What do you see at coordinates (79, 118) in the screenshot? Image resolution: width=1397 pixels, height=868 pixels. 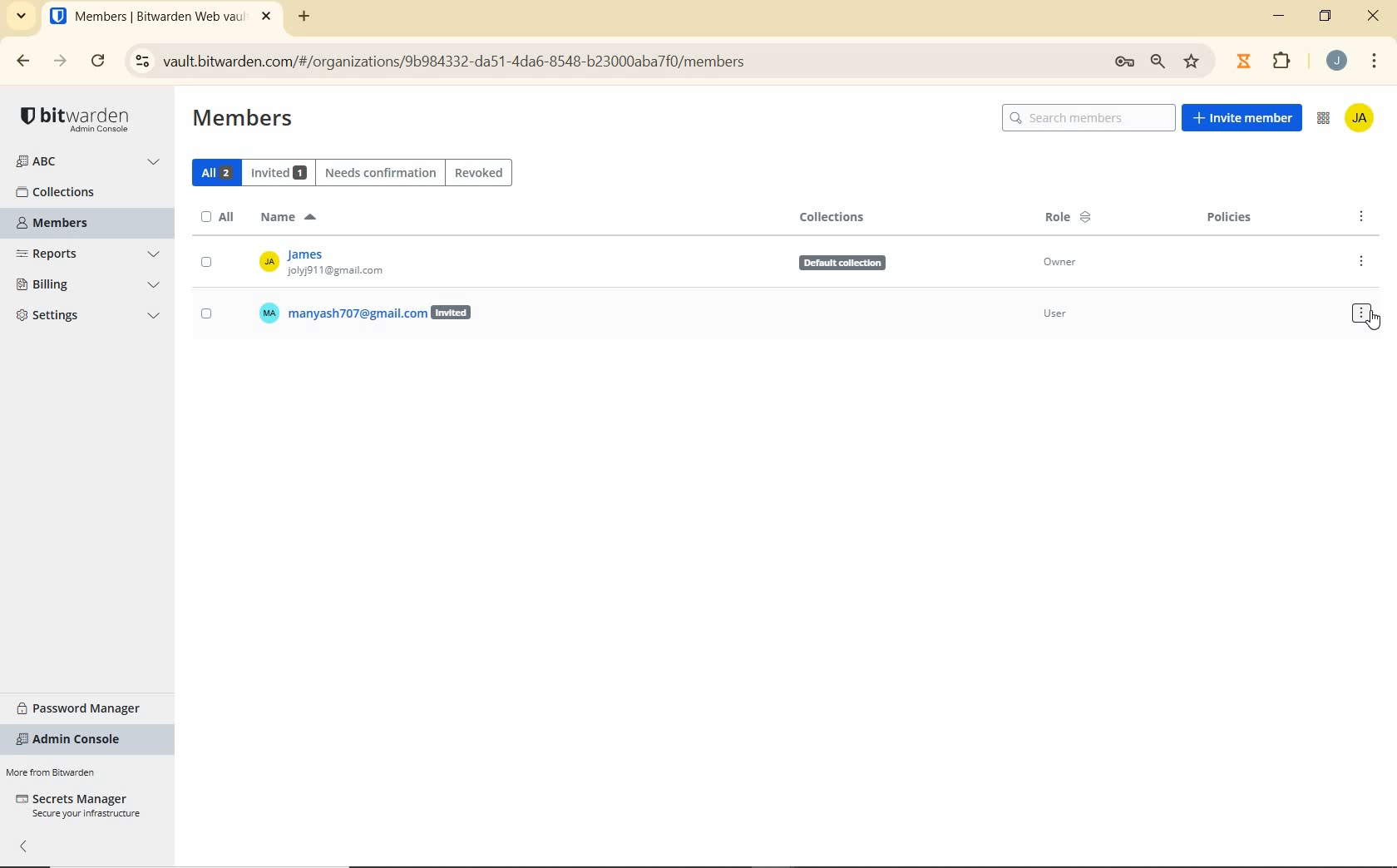 I see `LOGO` at bounding box center [79, 118].